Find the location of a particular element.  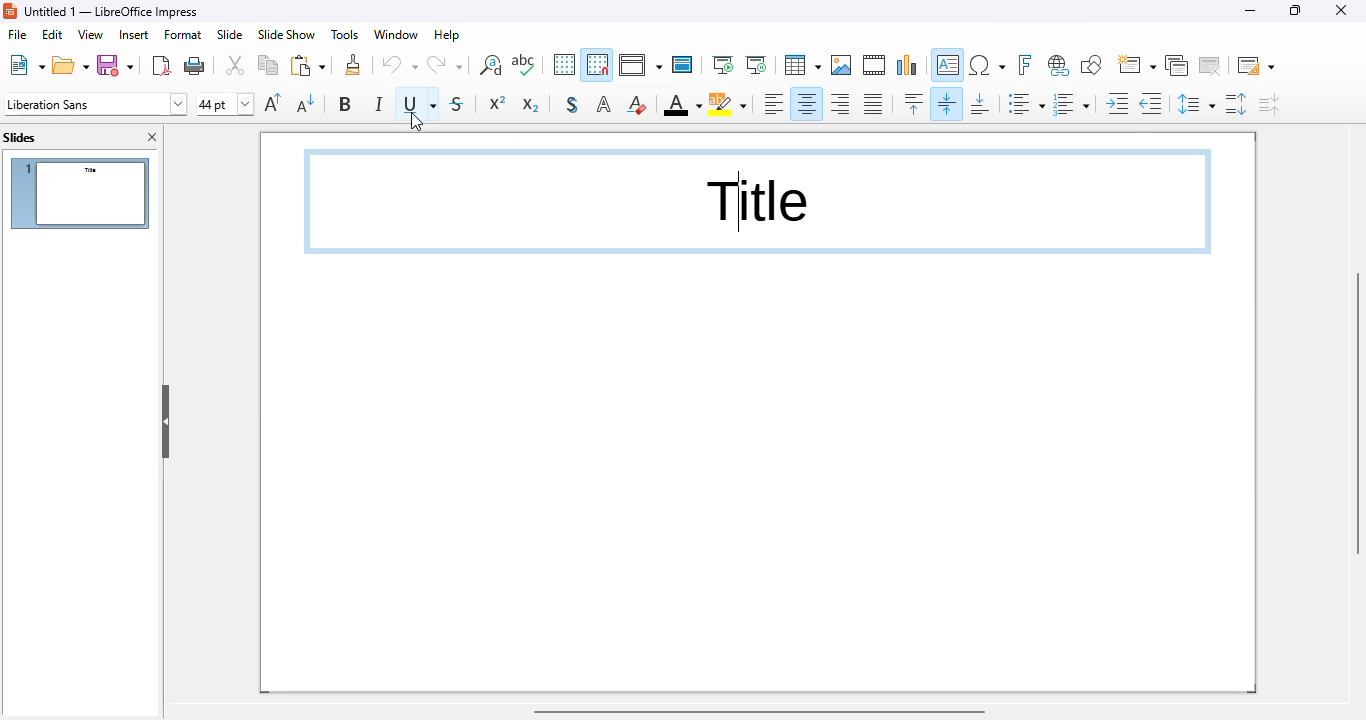

align bottom is located at coordinates (980, 105).